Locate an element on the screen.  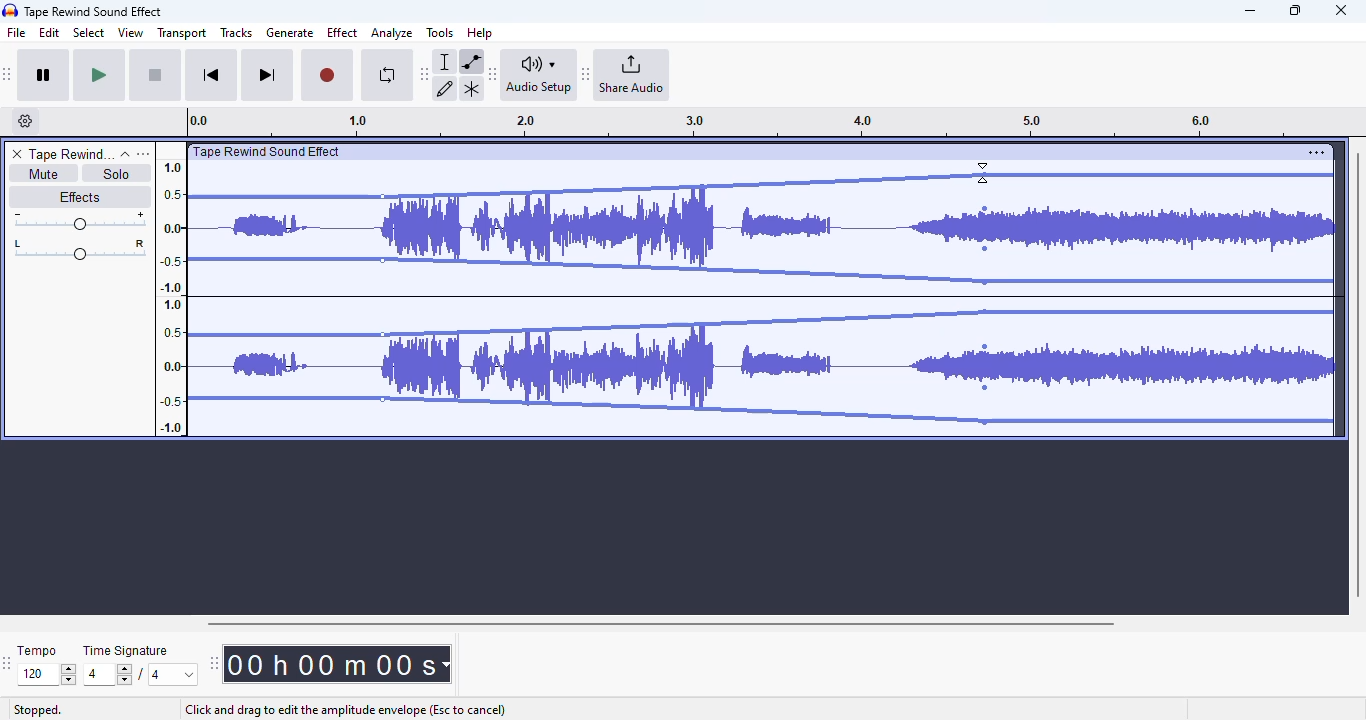
file is located at coordinates (17, 33).